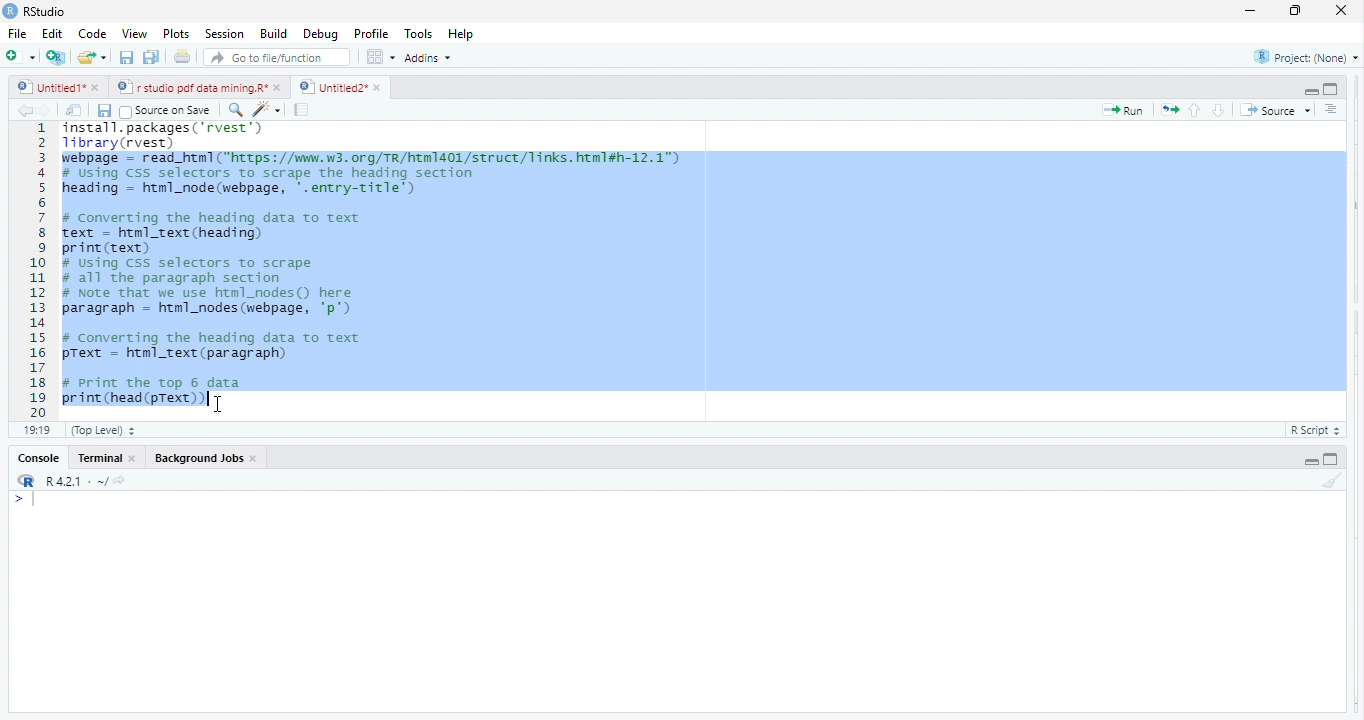 The width and height of the screenshot is (1364, 720). Describe the element at coordinates (150, 57) in the screenshot. I see `save all open document` at that location.